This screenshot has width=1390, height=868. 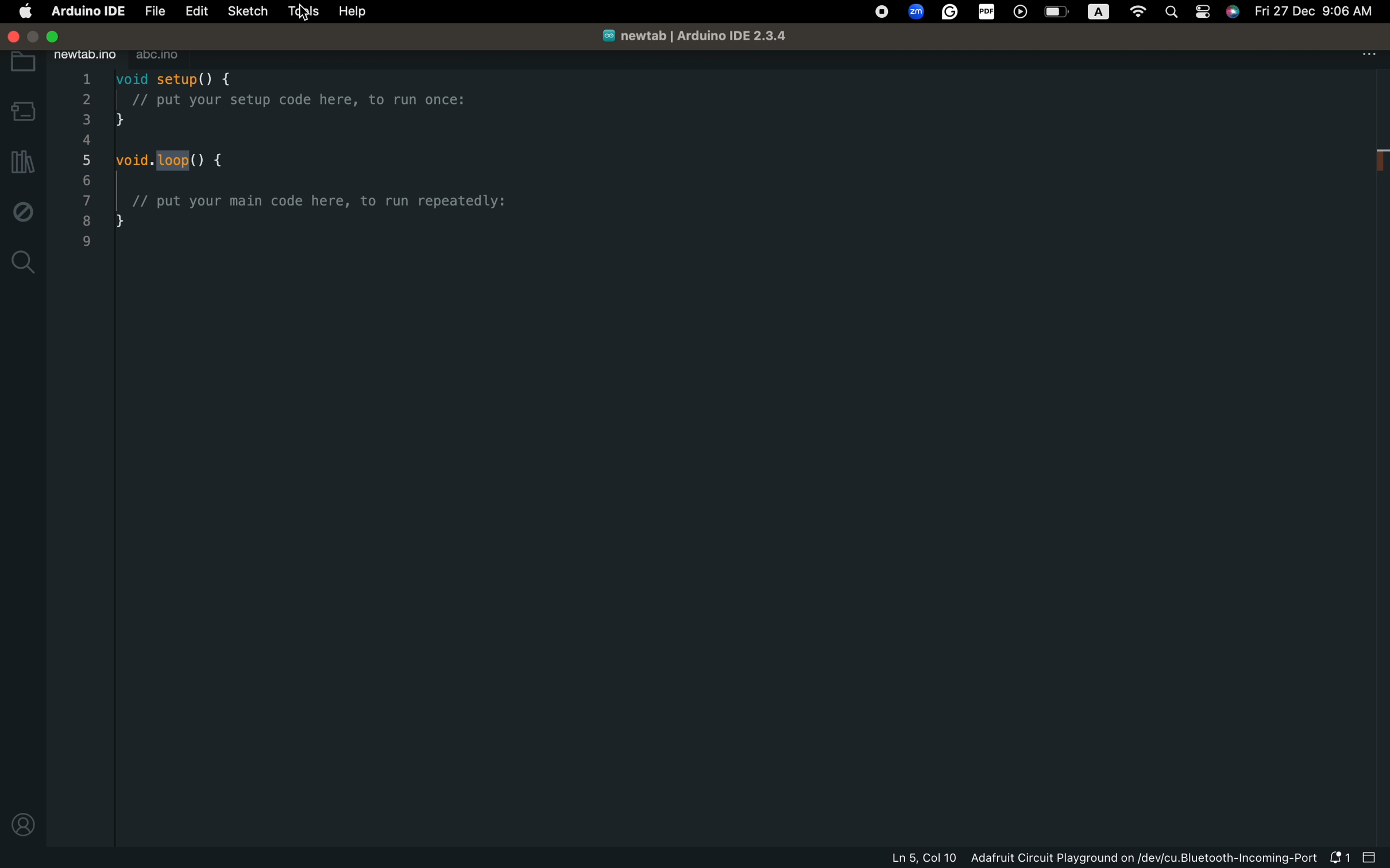 What do you see at coordinates (34, 37) in the screenshot?
I see `Maximize` at bounding box center [34, 37].